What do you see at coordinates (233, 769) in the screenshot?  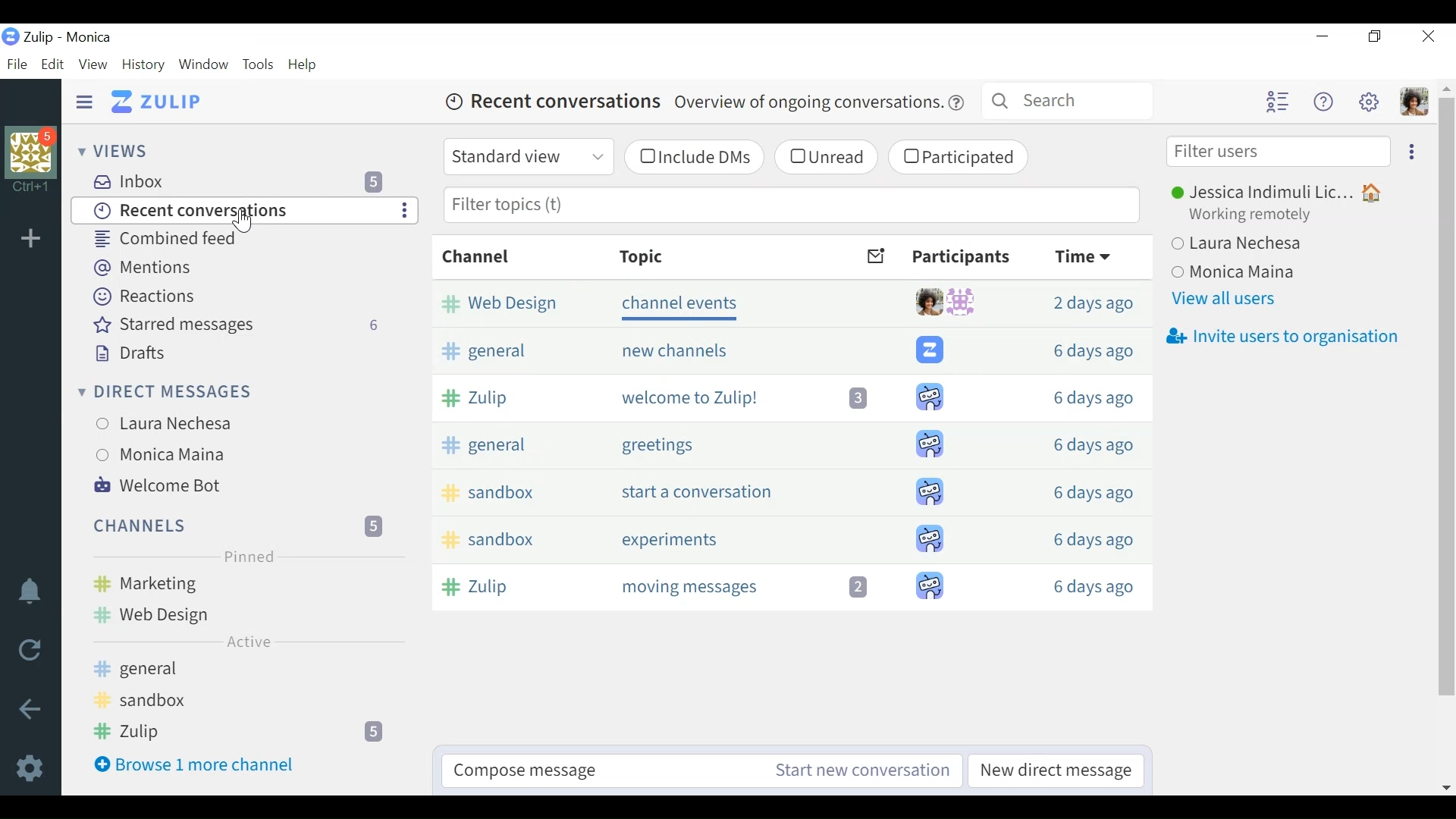 I see `Browse 1 more channel` at bounding box center [233, 769].